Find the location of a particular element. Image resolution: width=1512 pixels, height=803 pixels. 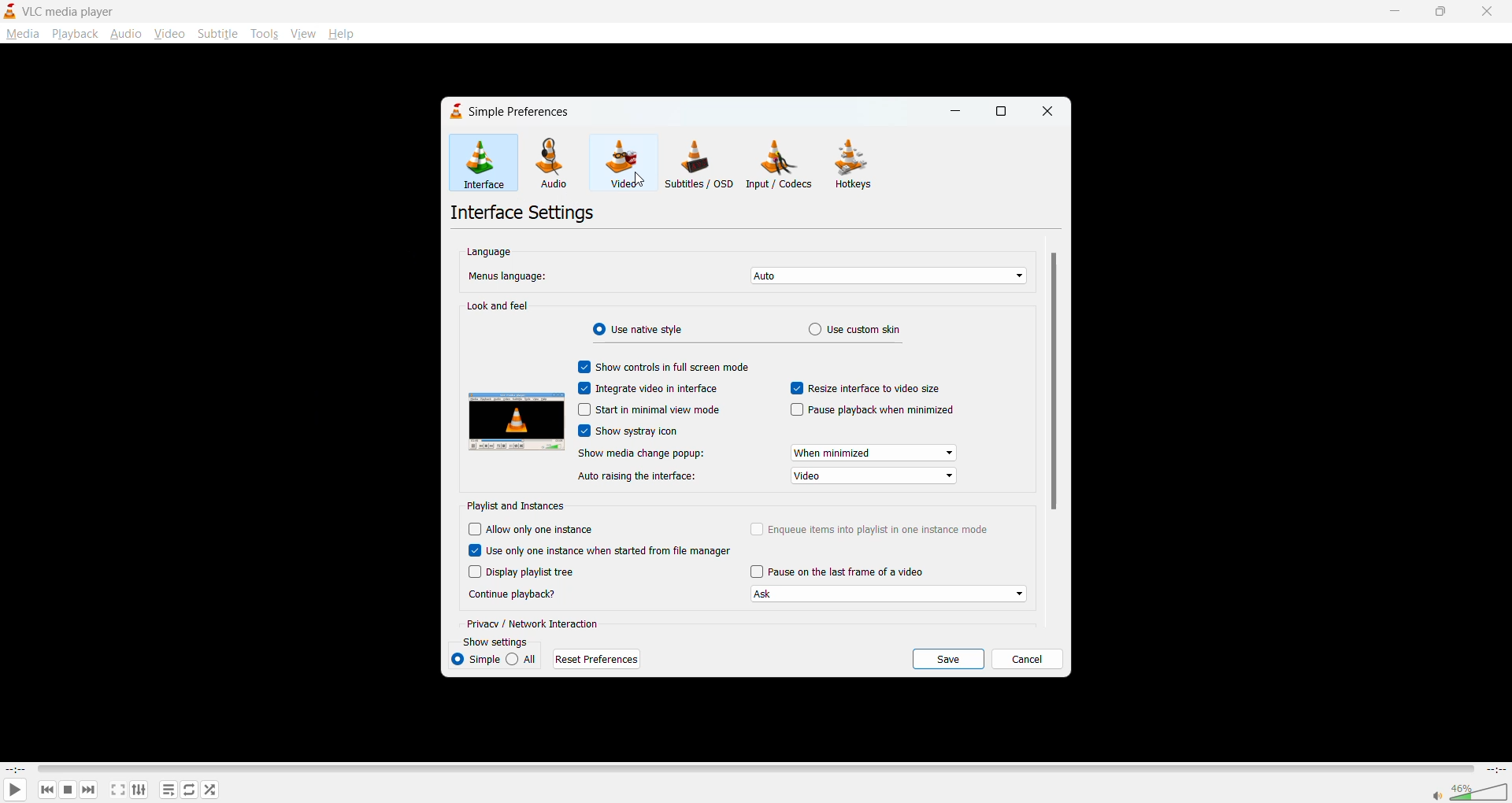

maximize is located at coordinates (1440, 13).